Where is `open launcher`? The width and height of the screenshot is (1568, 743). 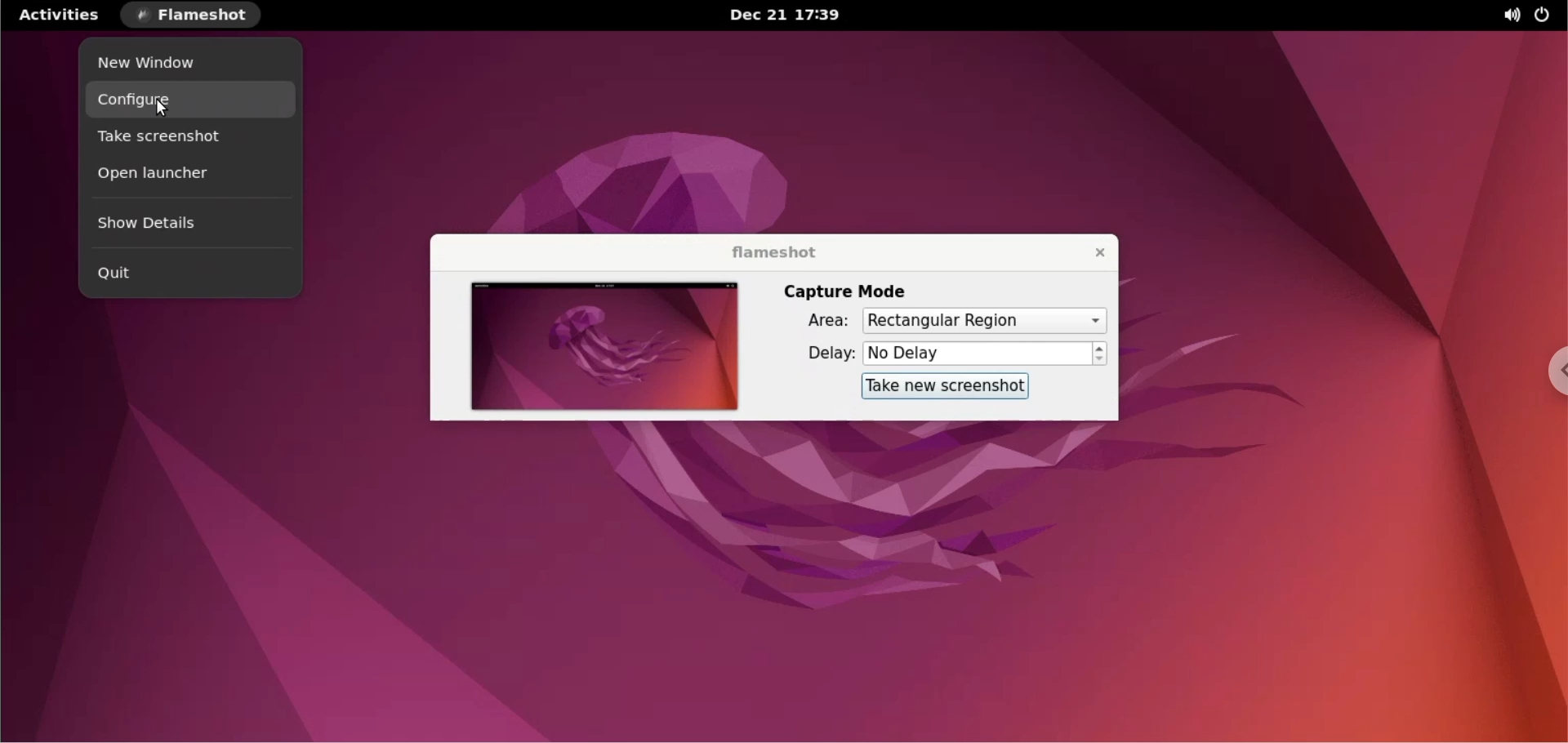 open launcher is located at coordinates (189, 175).